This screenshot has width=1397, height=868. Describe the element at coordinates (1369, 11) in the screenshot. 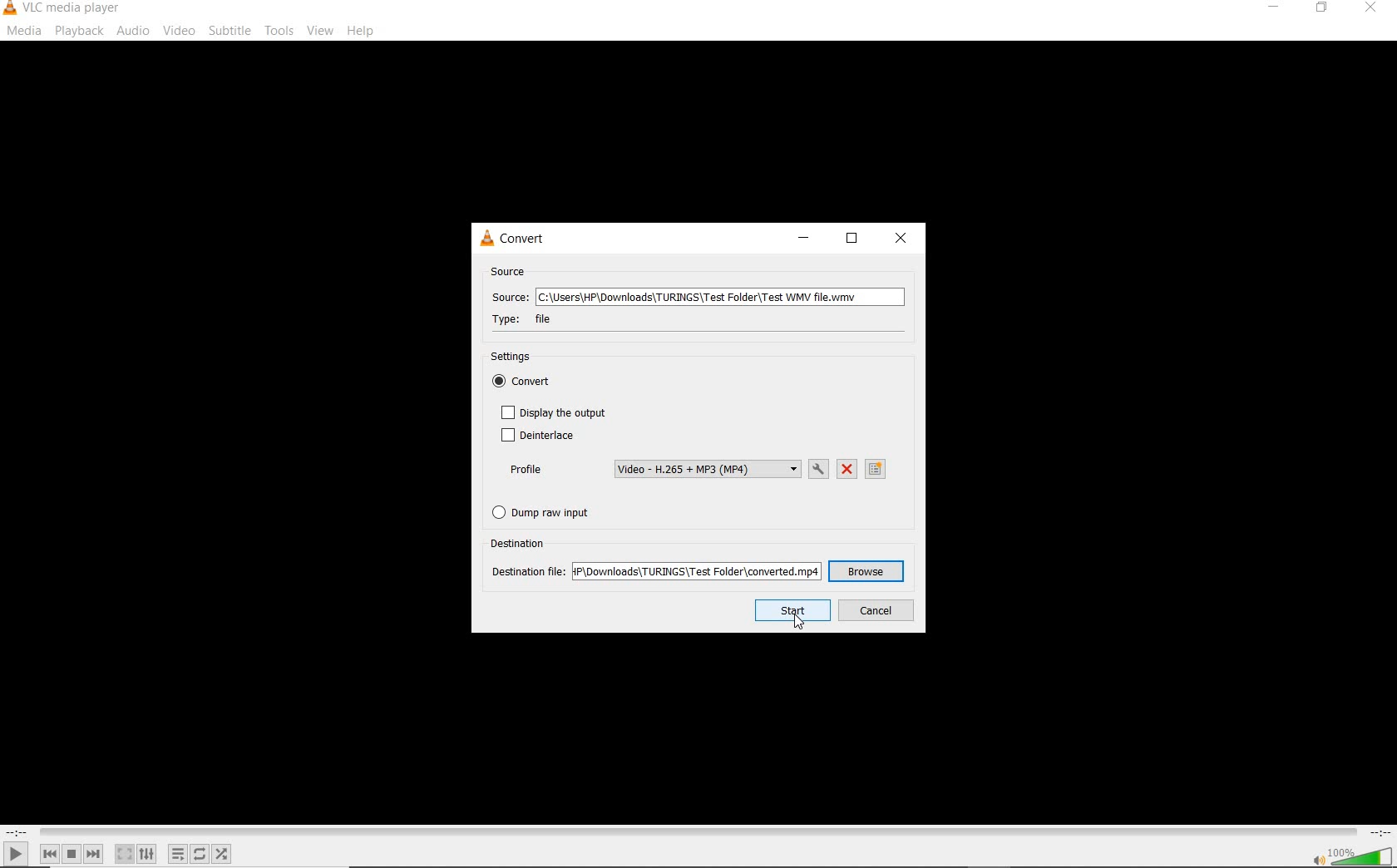

I see `close` at that location.